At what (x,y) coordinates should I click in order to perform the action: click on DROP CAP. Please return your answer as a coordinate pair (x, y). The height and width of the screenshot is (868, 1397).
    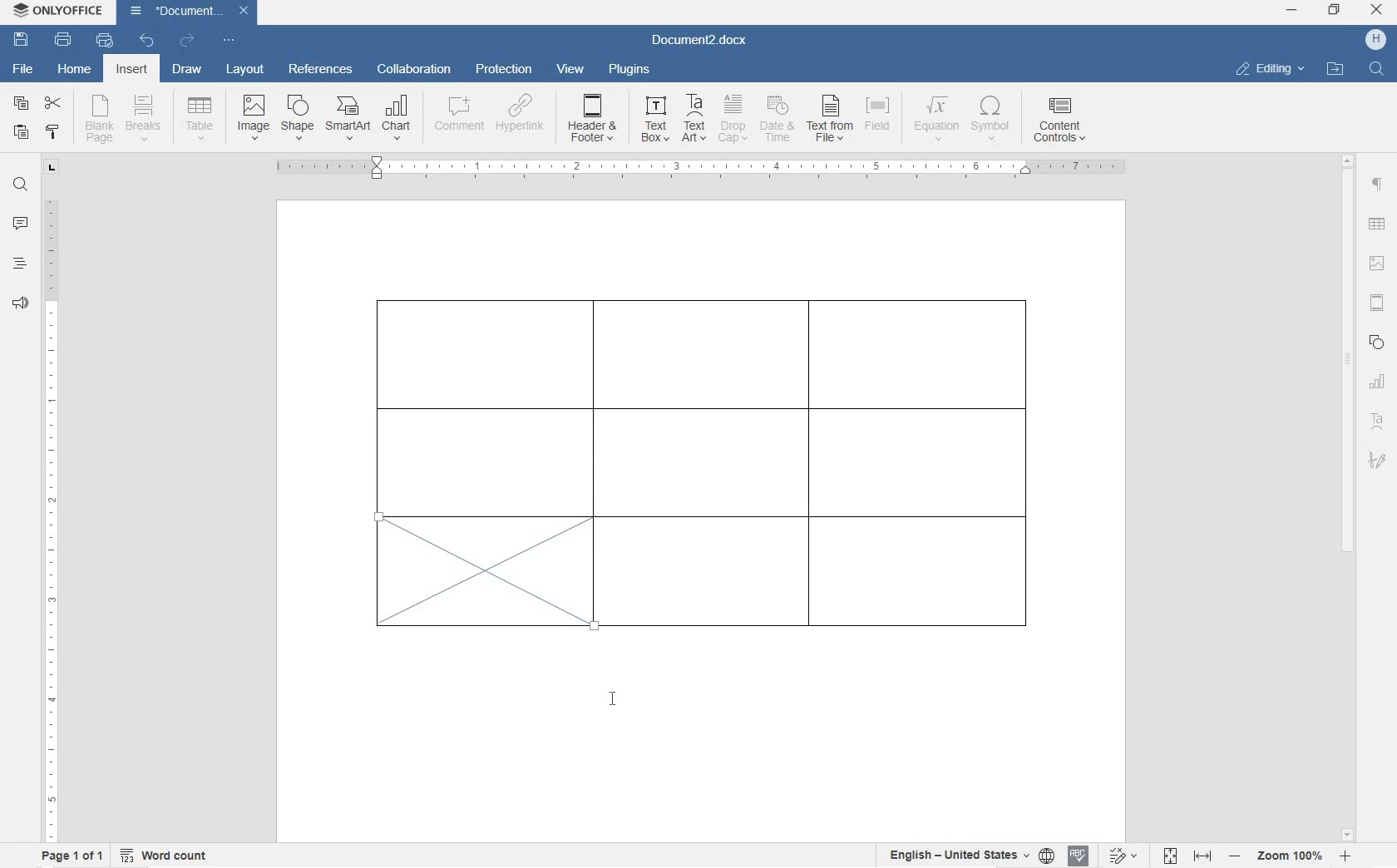
    Looking at the image, I should click on (734, 121).